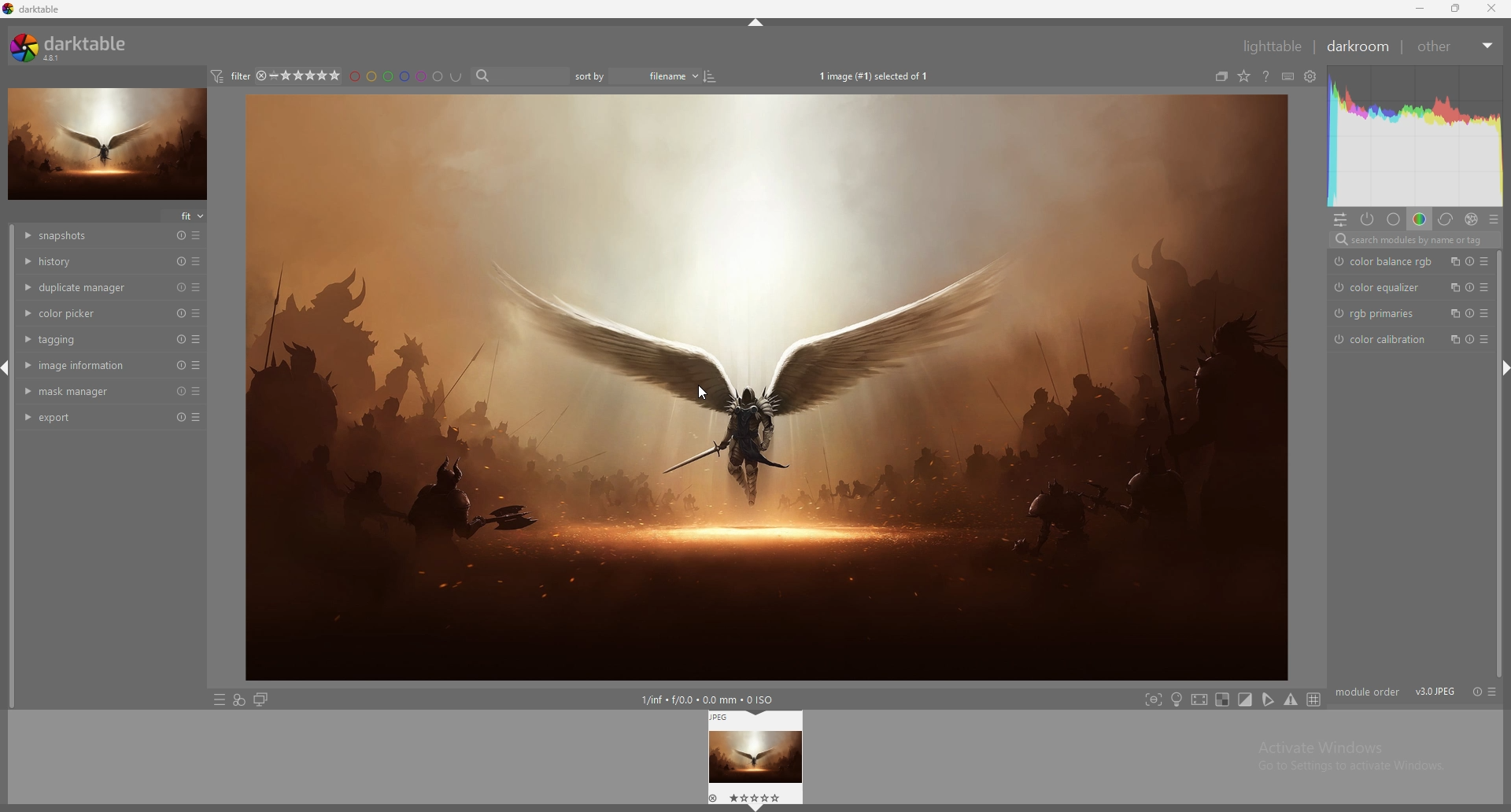  Describe the element at coordinates (89, 287) in the screenshot. I see `duplicate manager` at that location.